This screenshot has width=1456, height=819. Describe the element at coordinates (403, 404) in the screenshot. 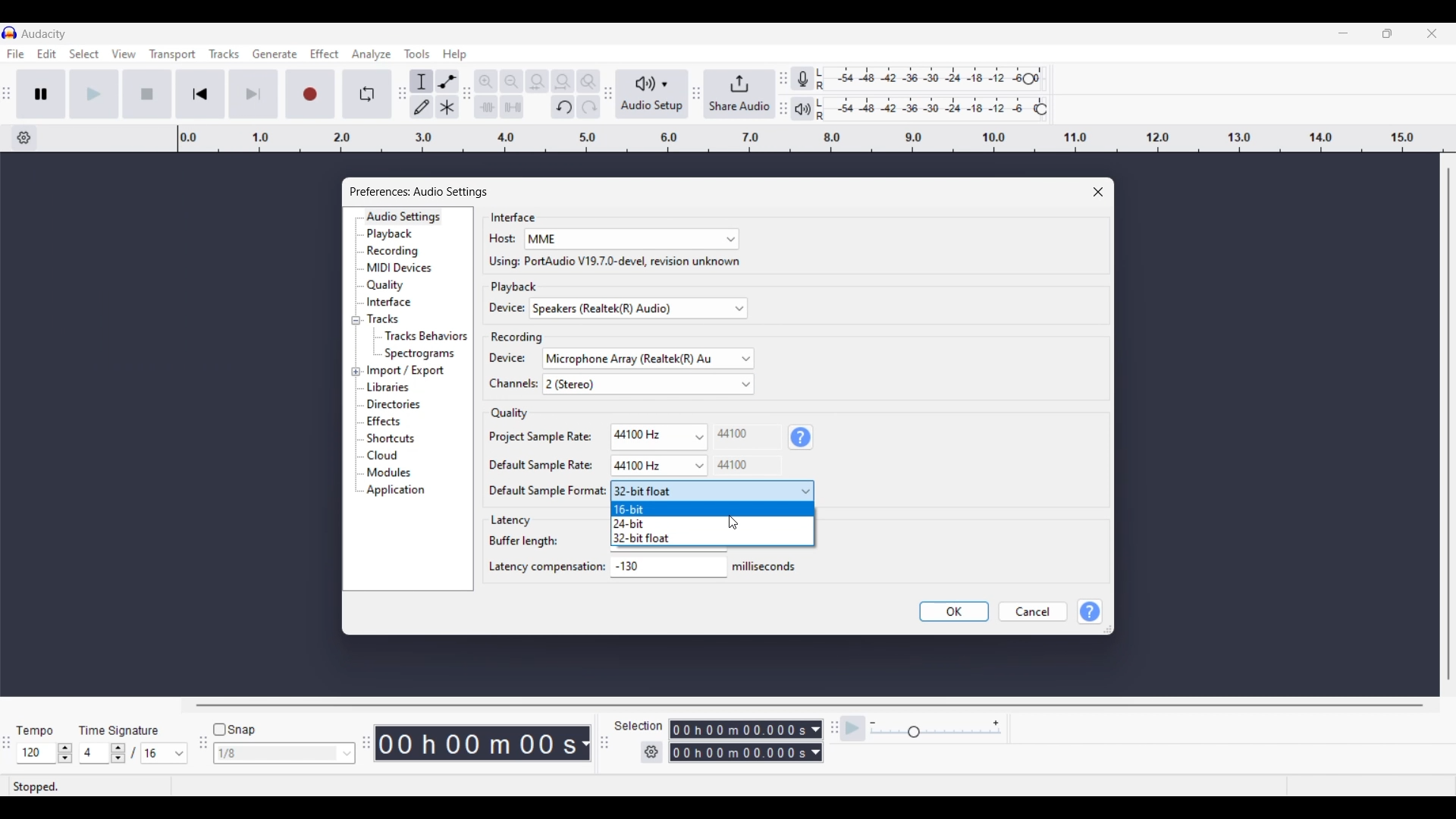

I see `Directories` at that location.